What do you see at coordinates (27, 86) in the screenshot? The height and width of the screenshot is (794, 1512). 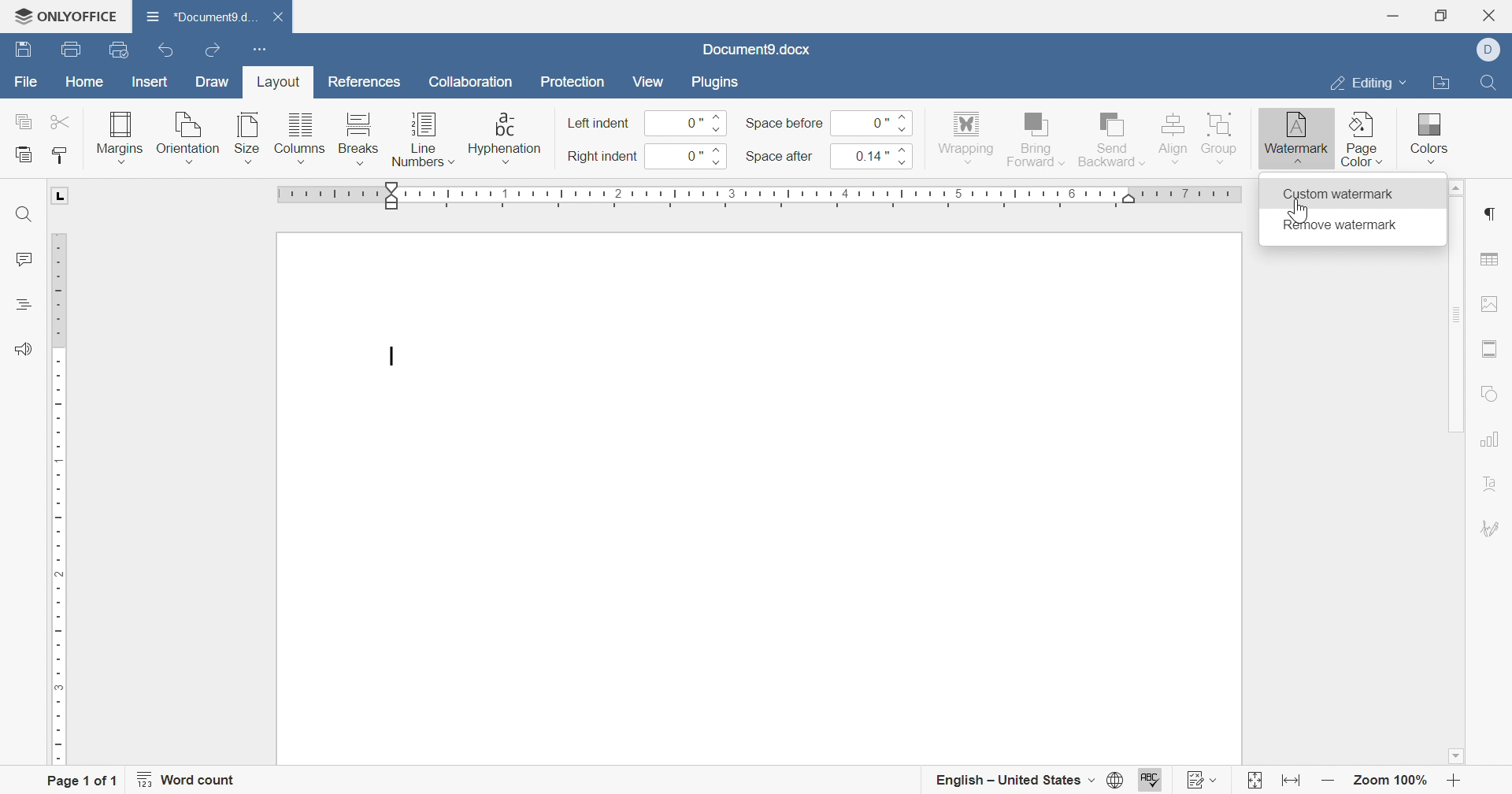 I see `file` at bounding box center [27, 86].